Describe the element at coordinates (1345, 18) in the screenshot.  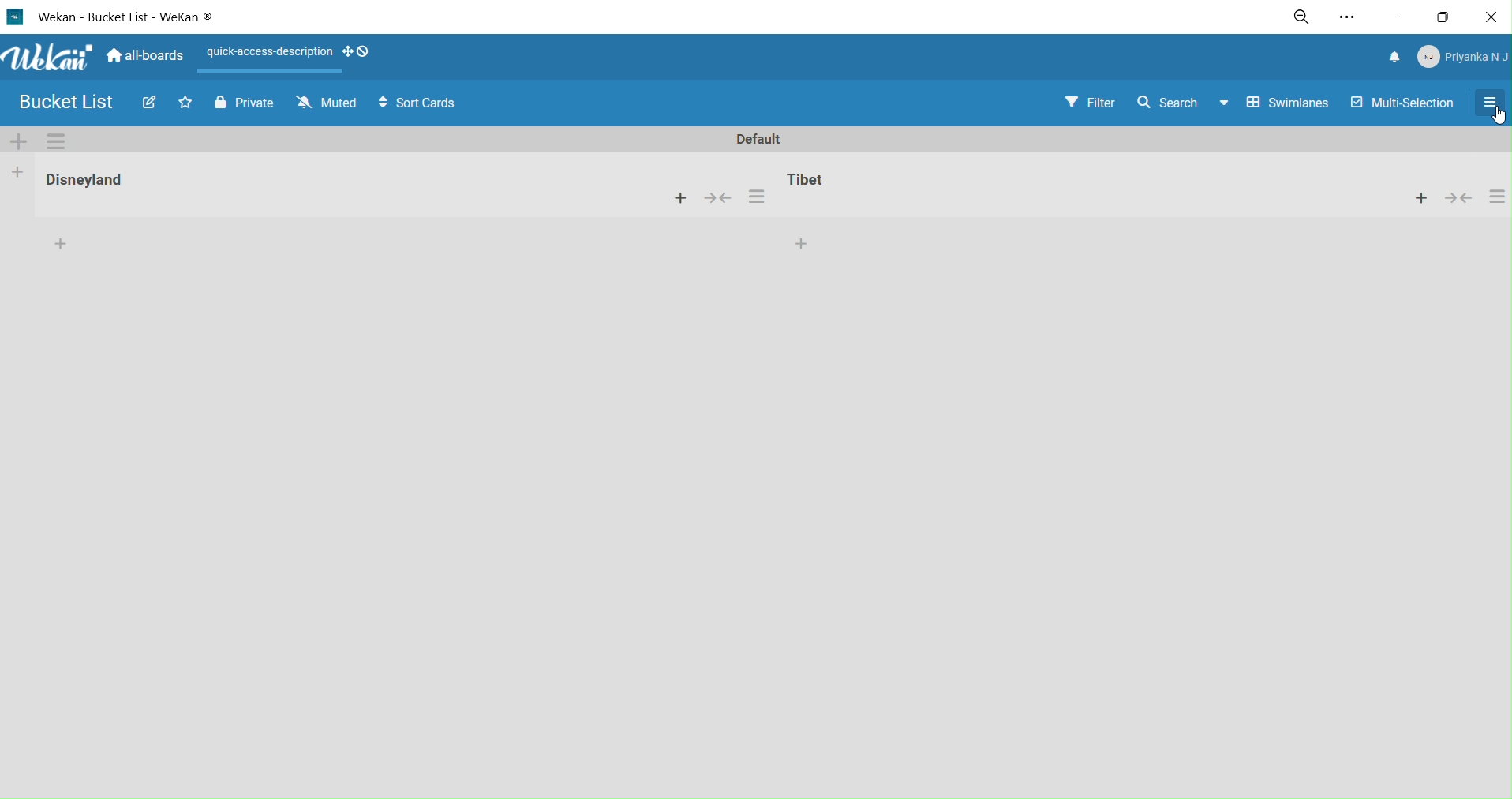
I see `settings and more` at that location.